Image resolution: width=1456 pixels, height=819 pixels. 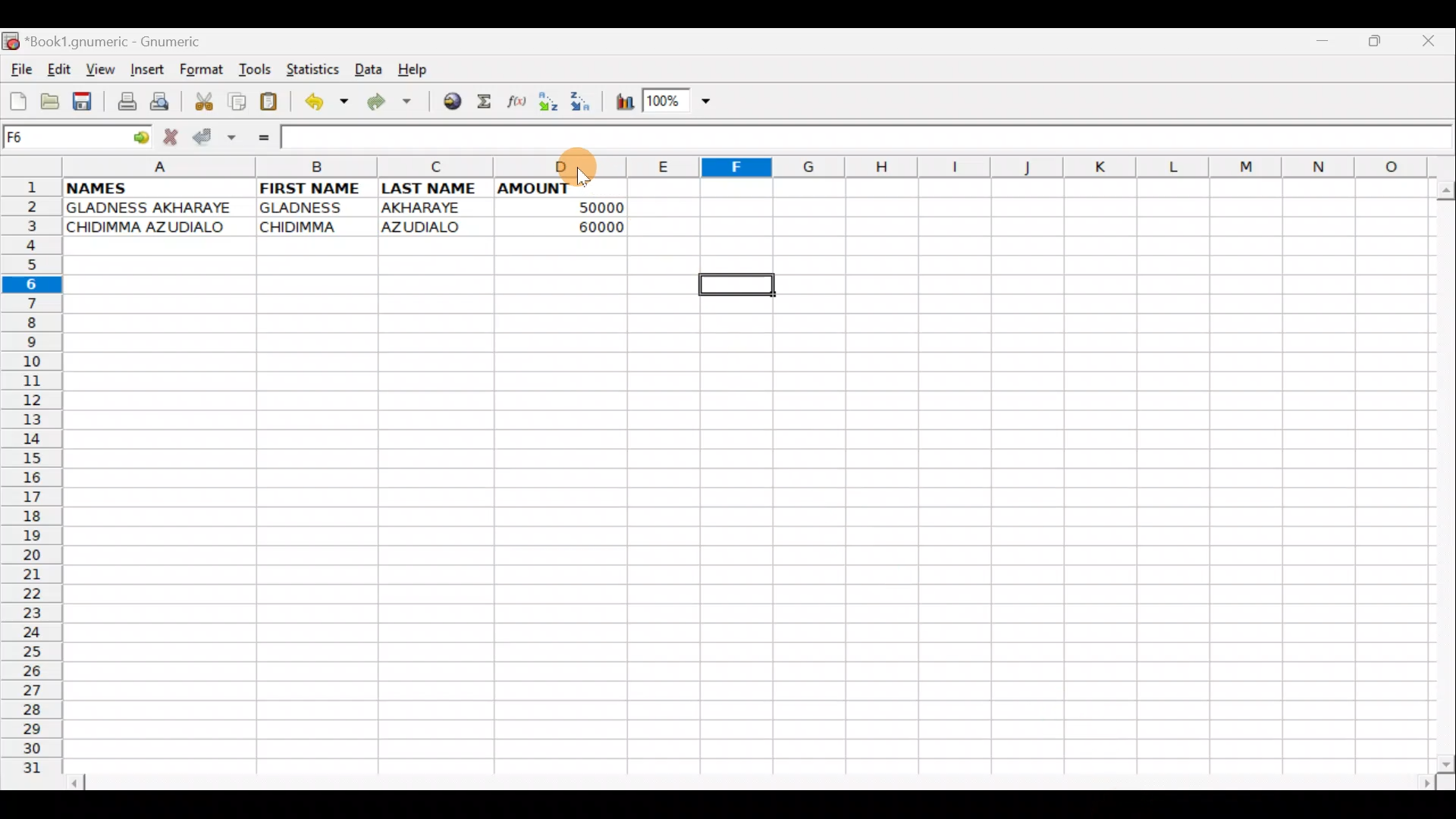 I want to click on Data, so click(x=368, y=68).